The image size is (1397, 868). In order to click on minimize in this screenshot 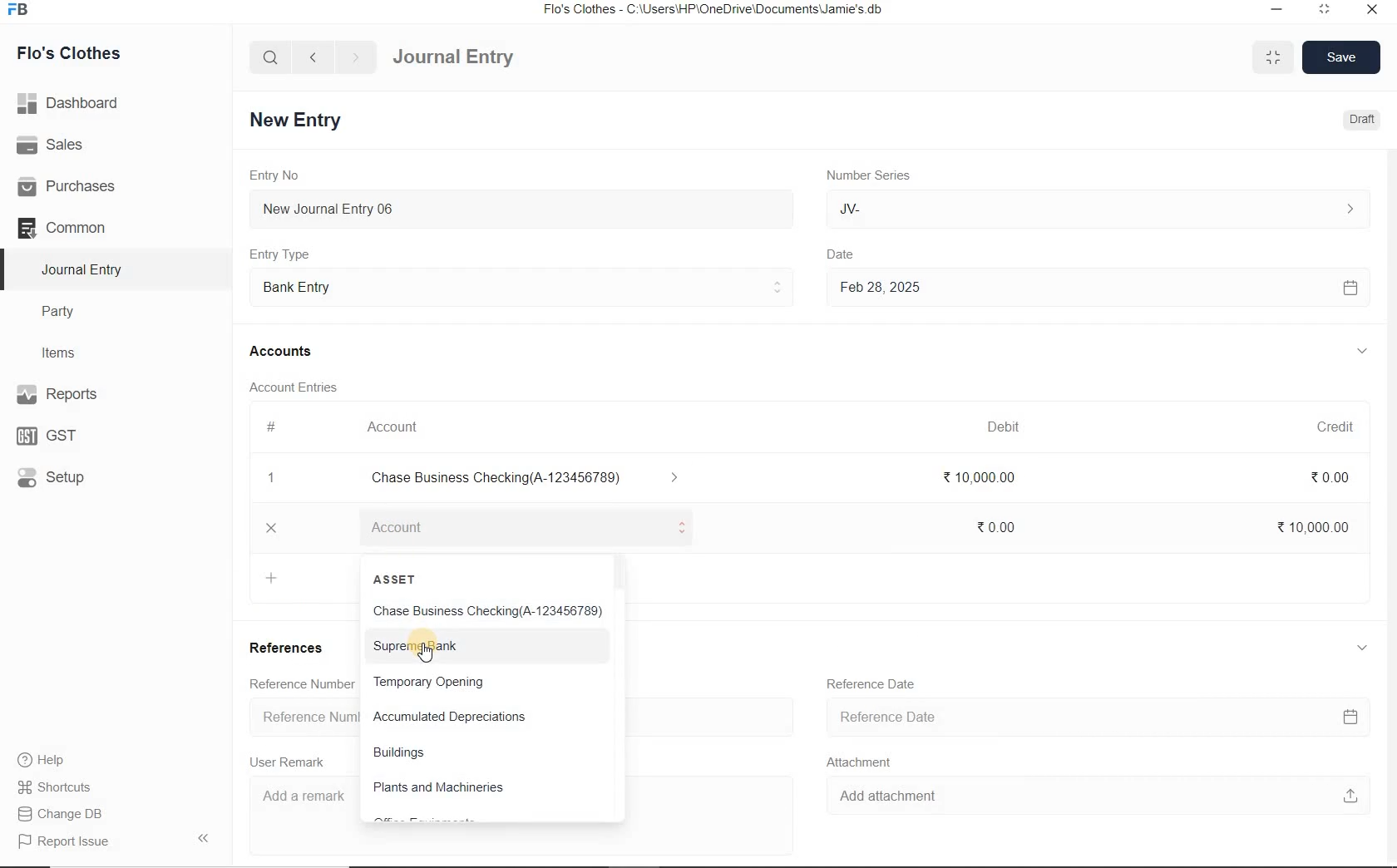, I will do `click(1275, 8)`.